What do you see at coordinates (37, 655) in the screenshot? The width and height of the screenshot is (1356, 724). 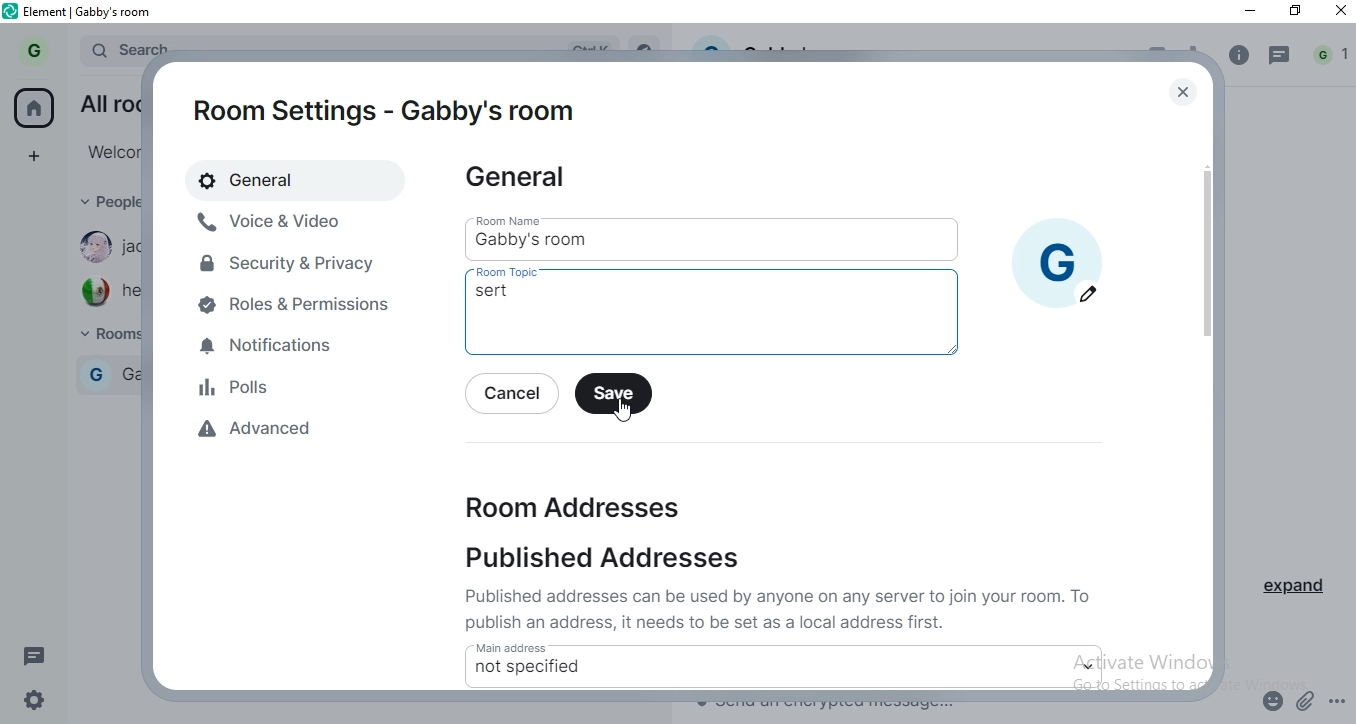 I see `message` at bounding box center [37, 655].